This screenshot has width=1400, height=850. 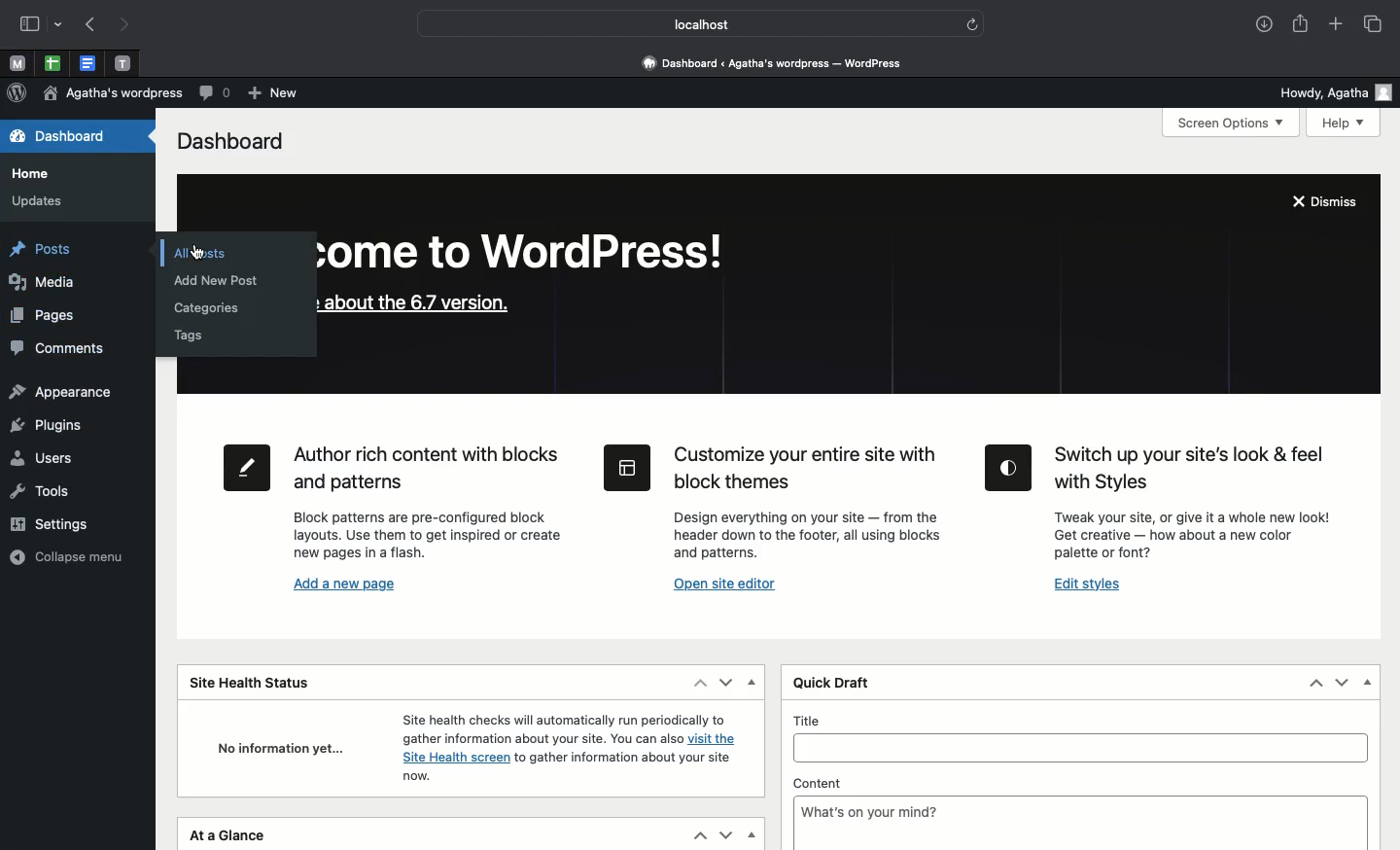 What do you see at coordinates (90, 26) in the screenshot?
I see `Previous page` at bounding box center [90, 26].